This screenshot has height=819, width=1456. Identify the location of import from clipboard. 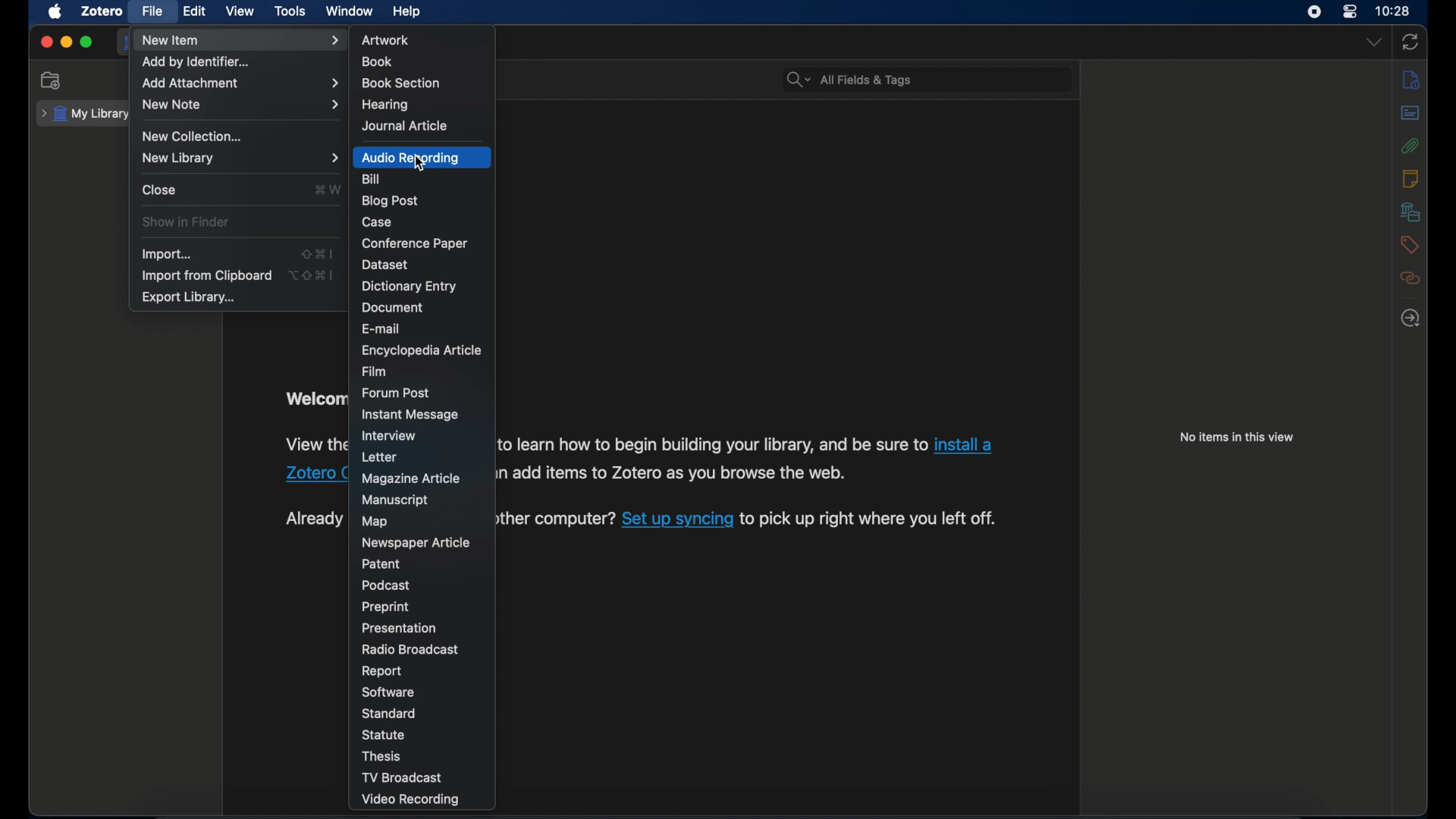
(208, 275).